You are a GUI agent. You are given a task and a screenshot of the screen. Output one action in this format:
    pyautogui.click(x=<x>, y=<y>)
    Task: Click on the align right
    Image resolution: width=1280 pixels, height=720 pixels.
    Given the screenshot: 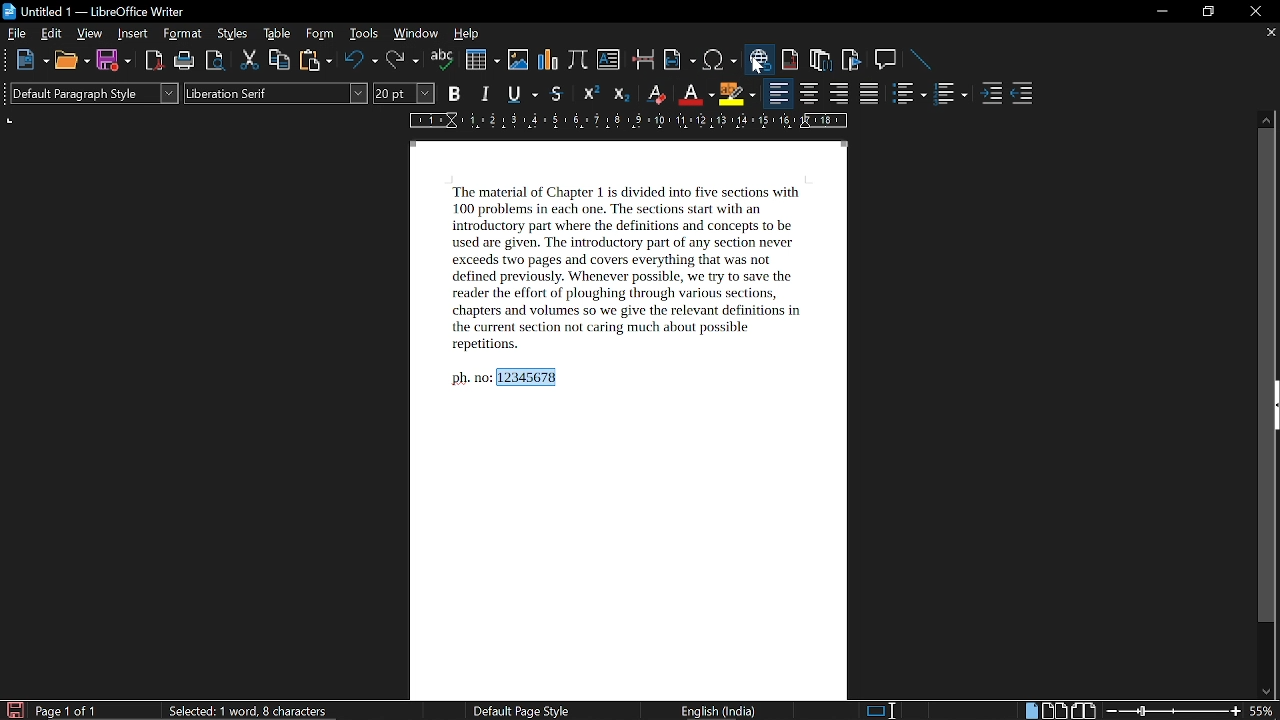 What is the action you would take?
    pyautogui.click(x=838, y=95)
    